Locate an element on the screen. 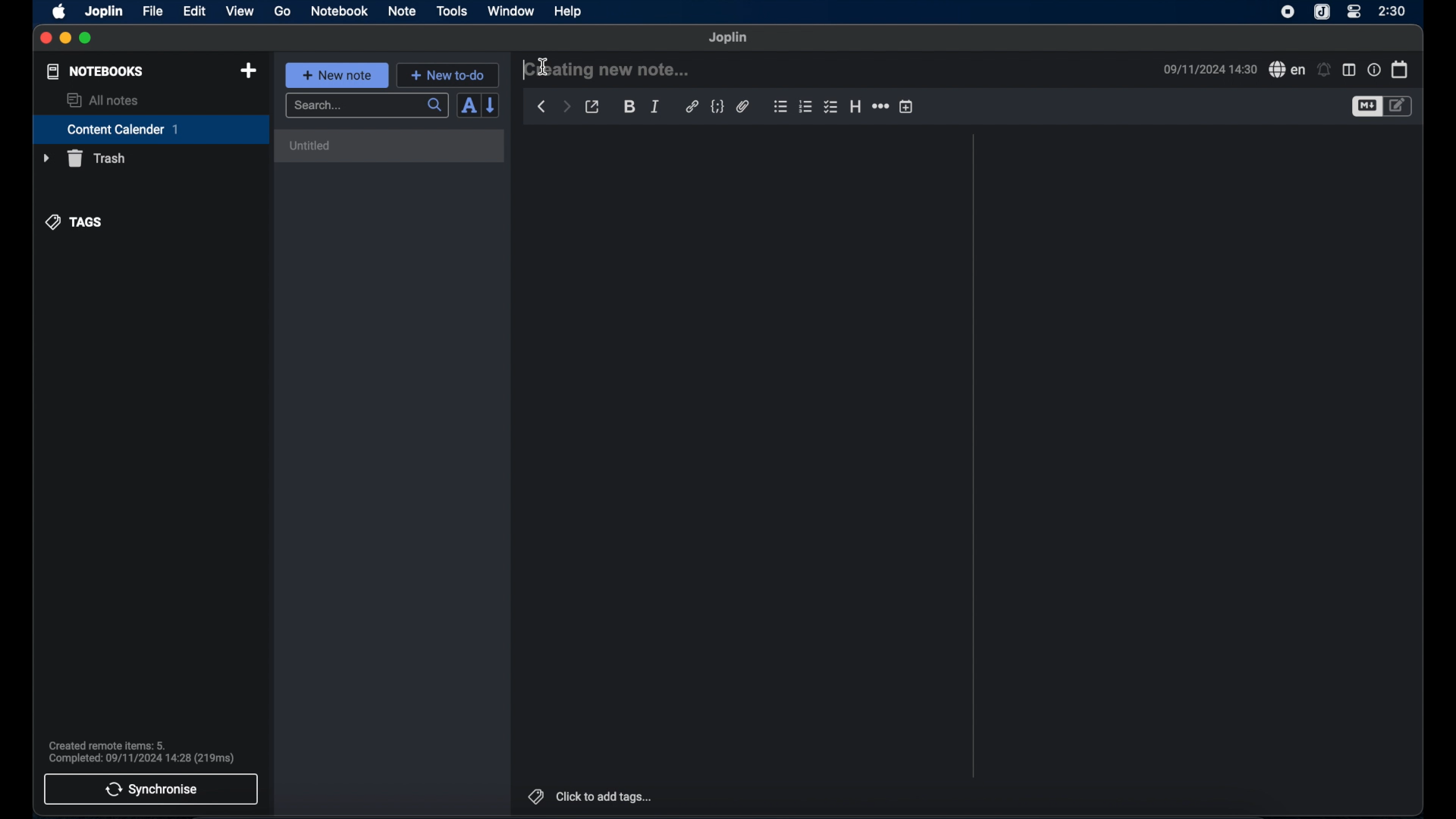 This screenshot has width=1456, height=819. back is located at coordinates (542, 107).